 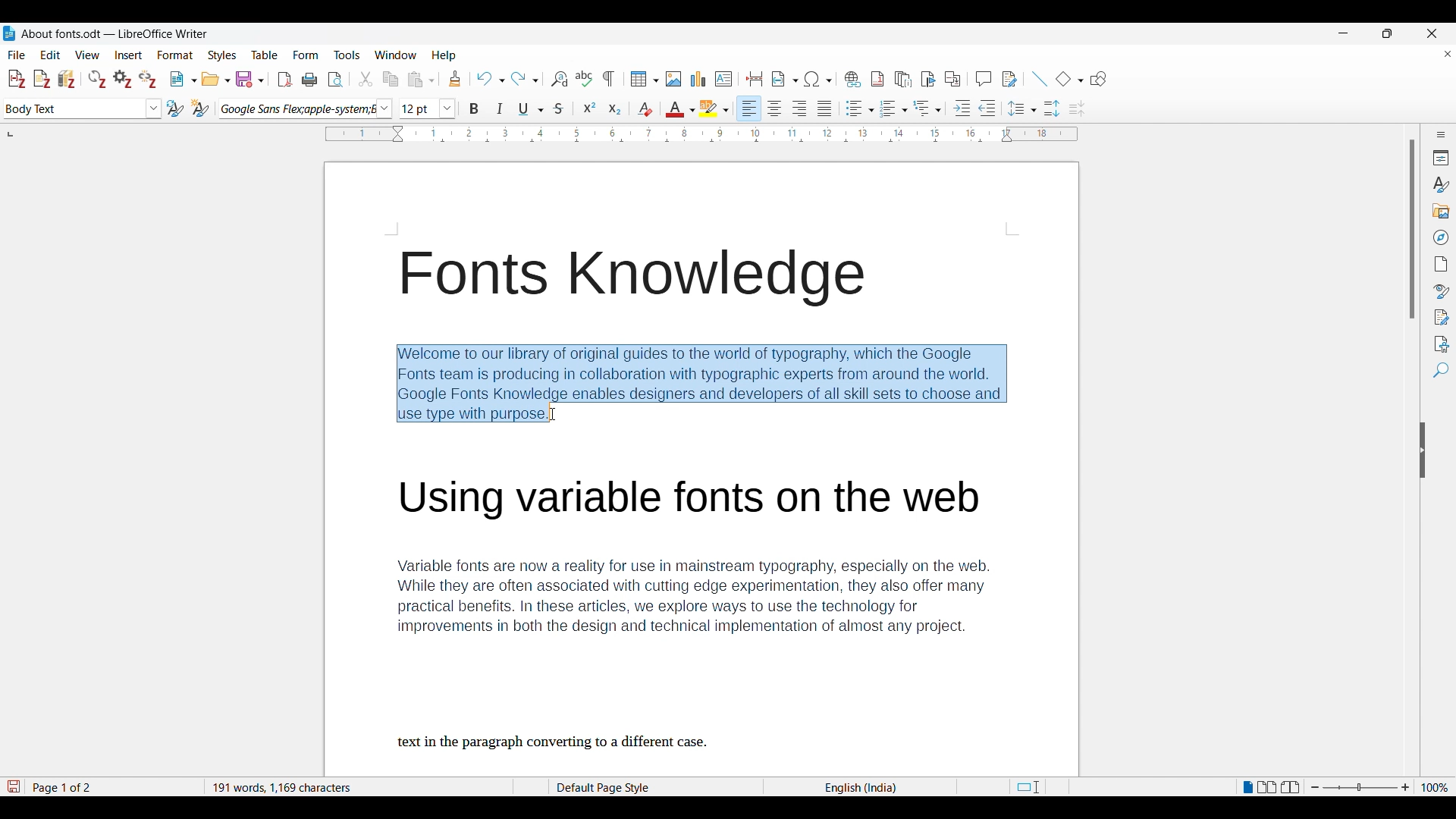 I want to click on Insert comment, so click(x=984, y=79).